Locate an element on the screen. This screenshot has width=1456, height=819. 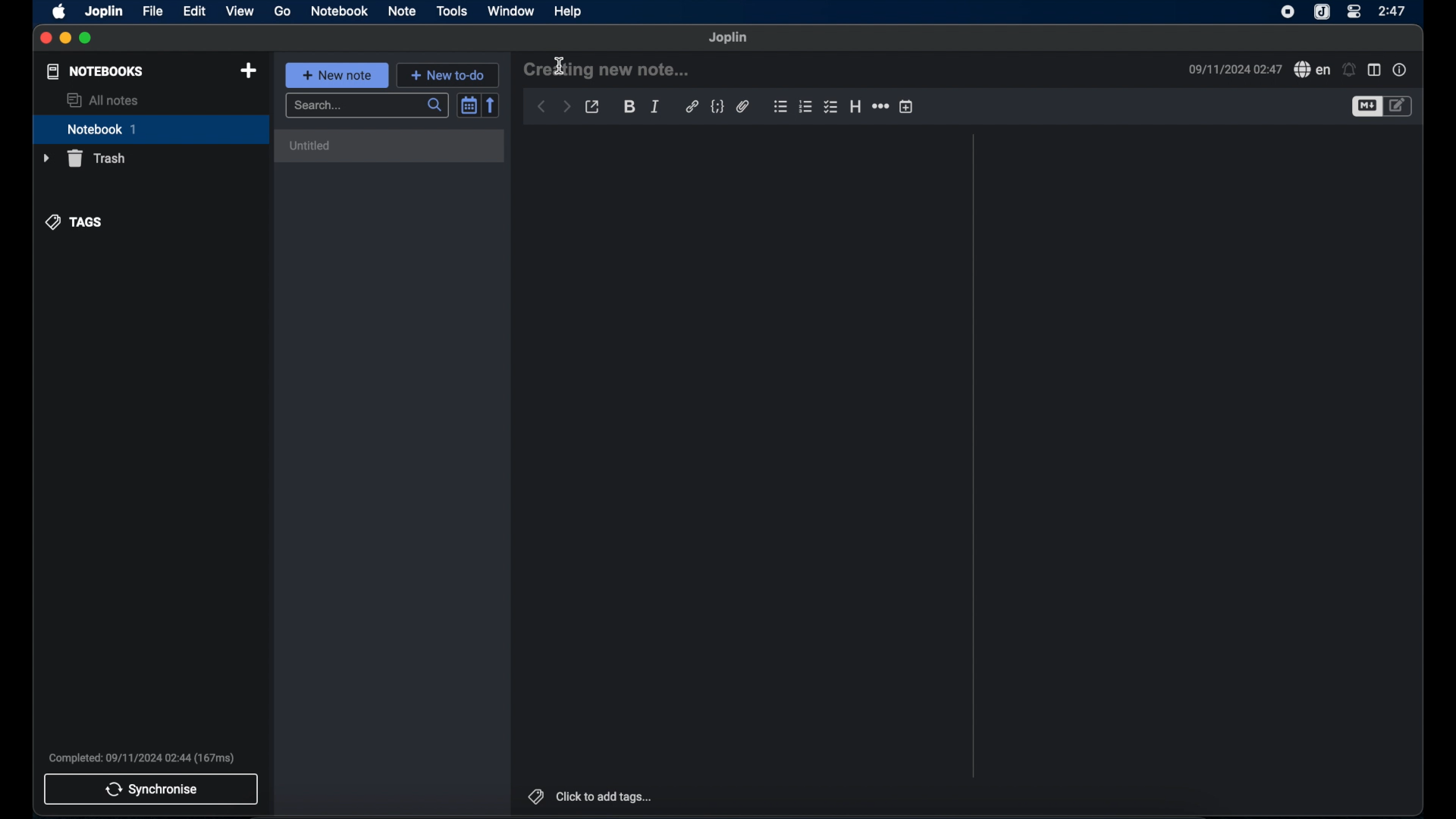
joplin is located at coordinates (105, 12).